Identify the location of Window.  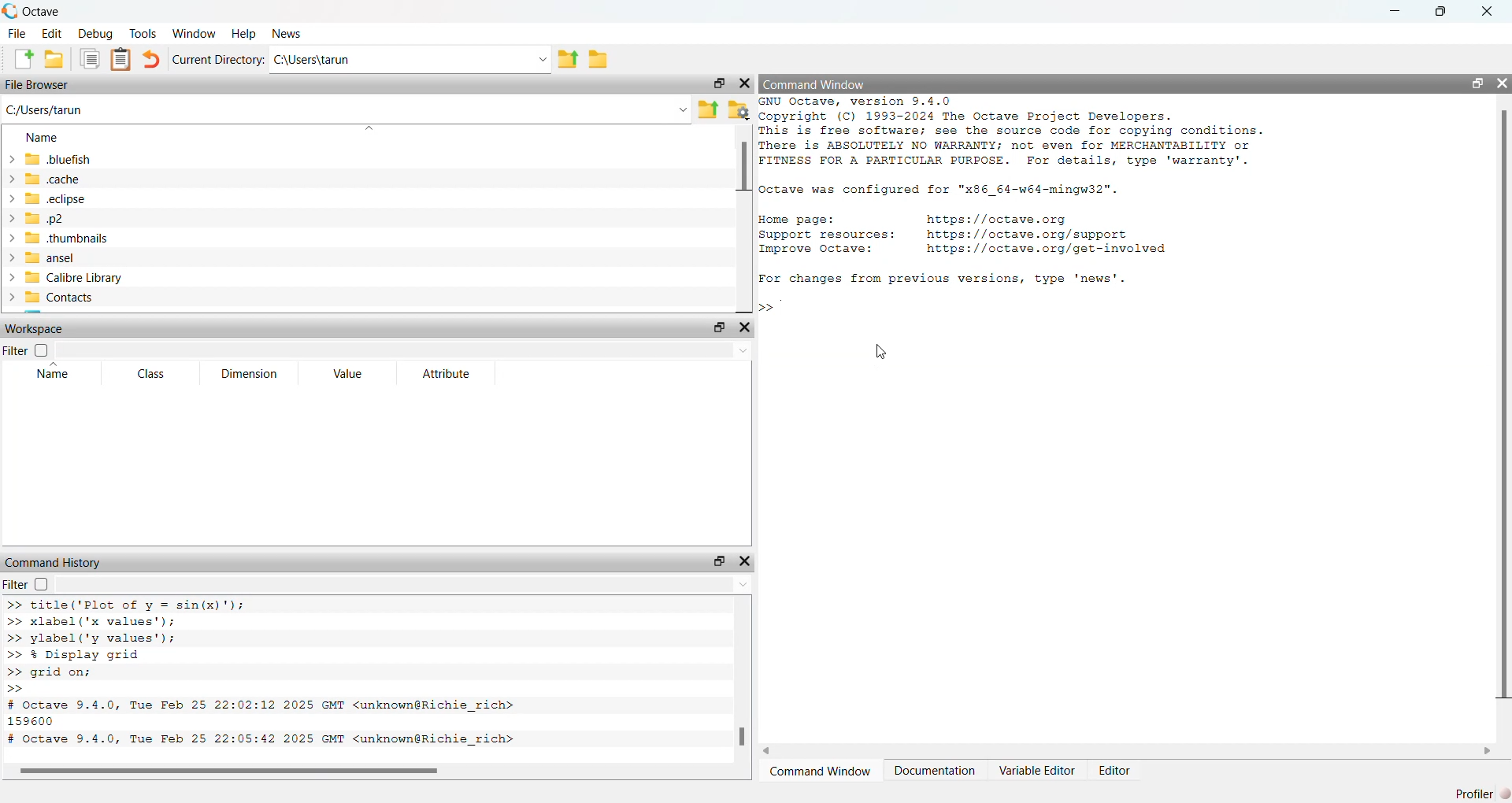
(196, 33).